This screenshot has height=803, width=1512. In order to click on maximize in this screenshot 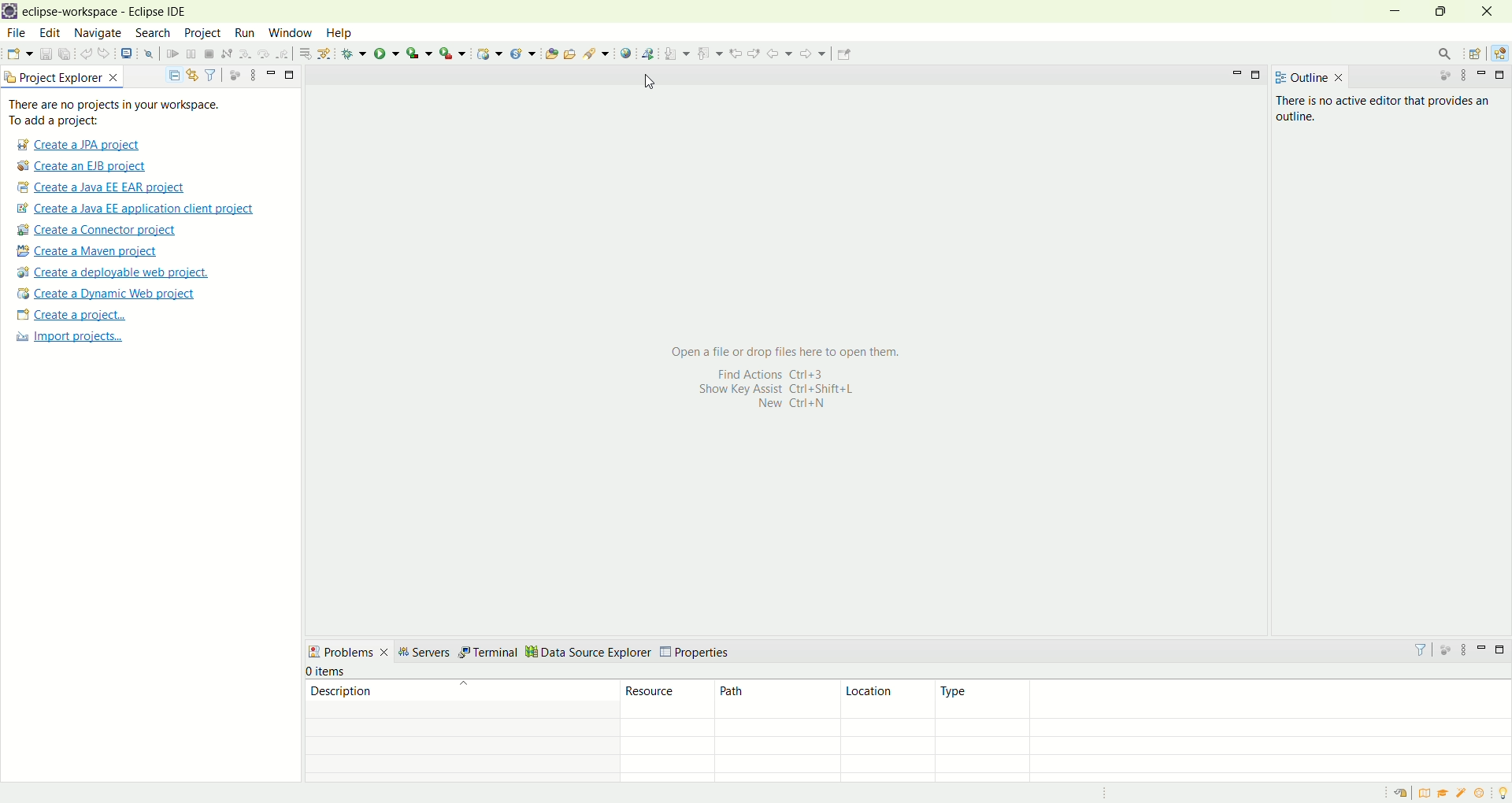, I will do `click(1258, 76)`.